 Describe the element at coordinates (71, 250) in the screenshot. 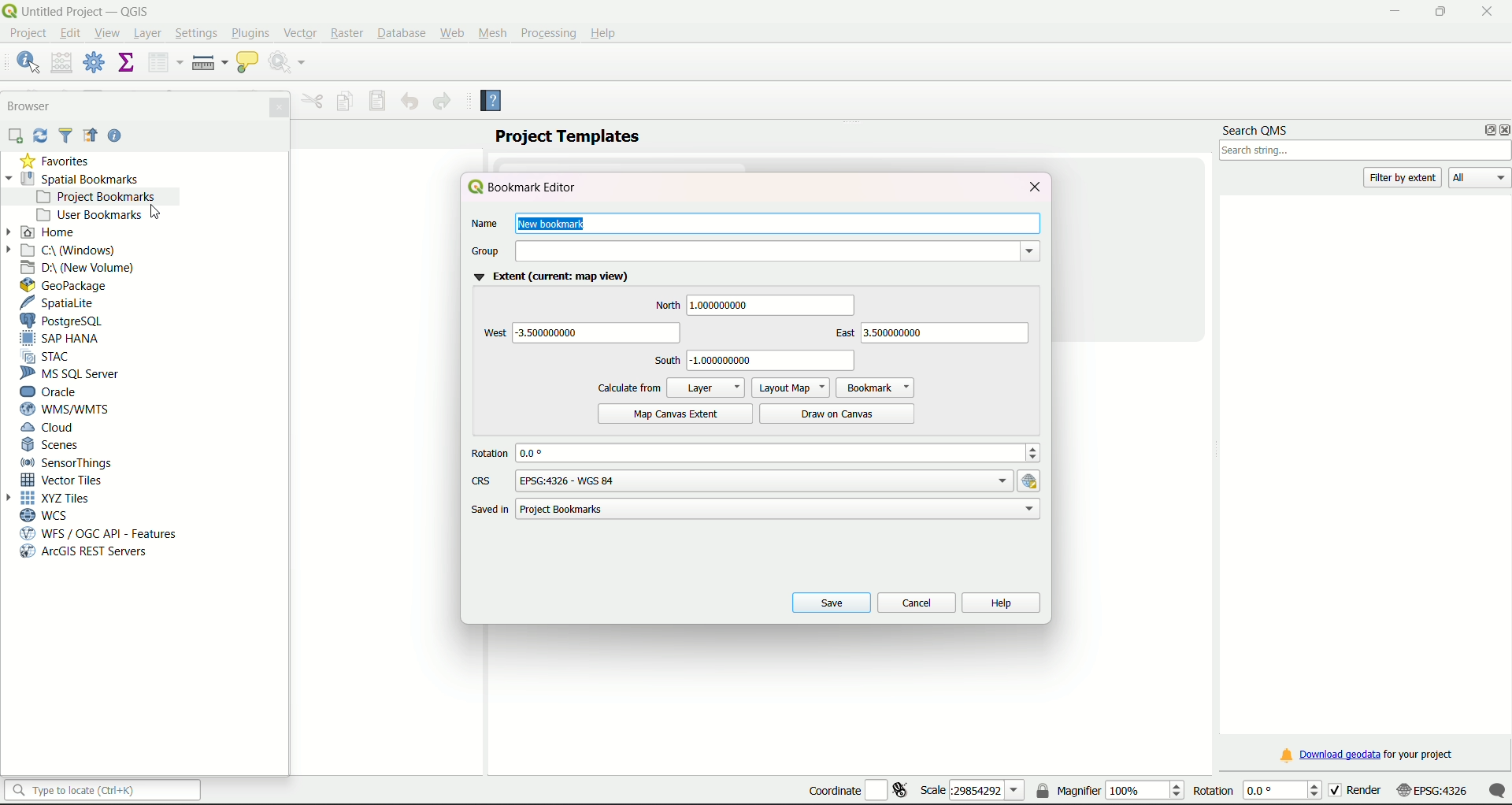

I see `C Drive  ` at that location.